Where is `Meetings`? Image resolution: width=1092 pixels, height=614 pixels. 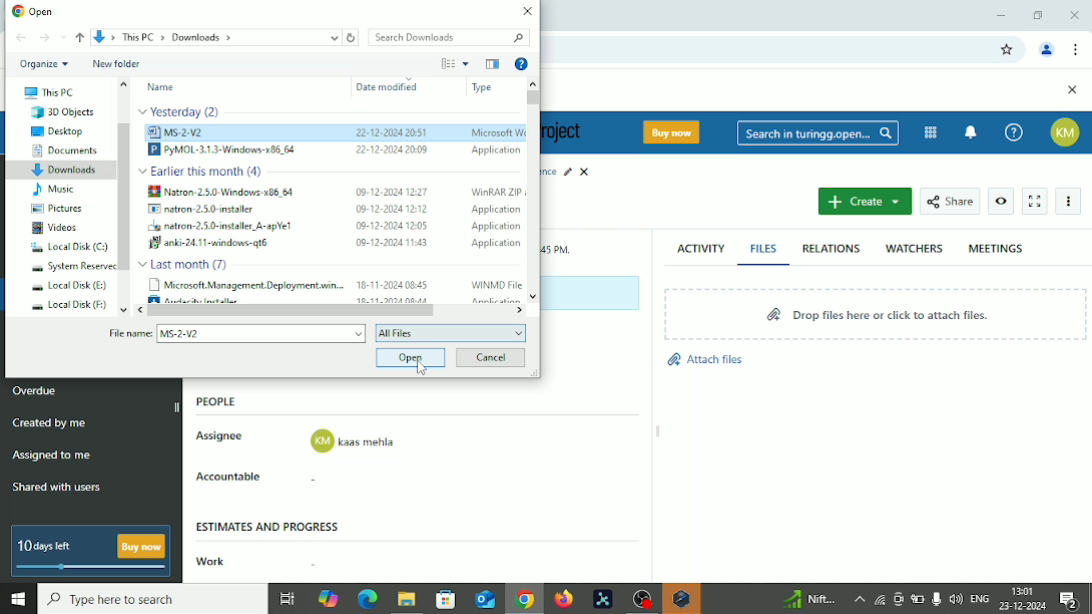 Meetings is located at coordinates (996, 248).